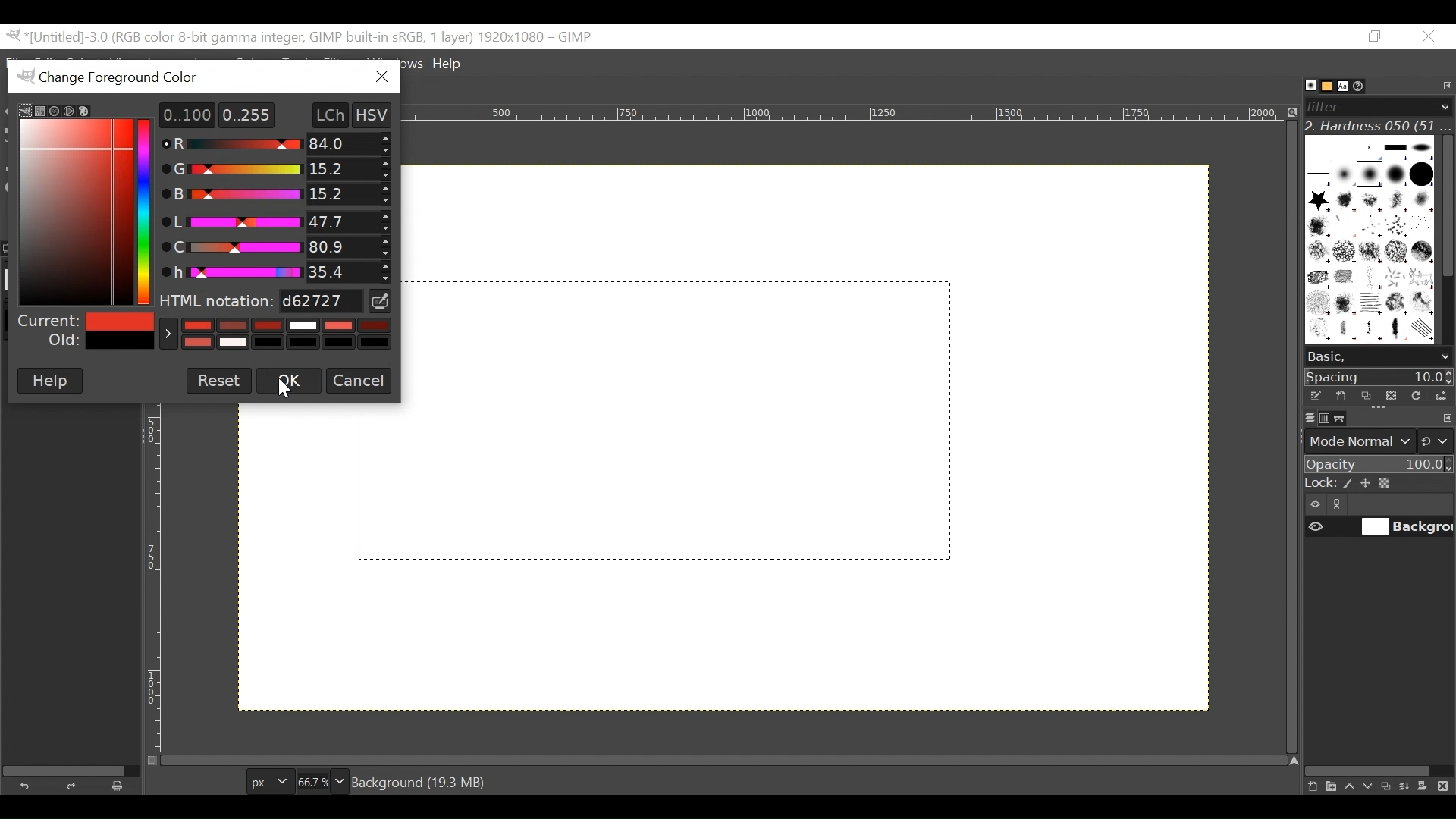 This screenshot has height=819, width=1456. Describe the element at coordinates (302, 37) in the screenshot. I see `Gimp File Name` at that location.